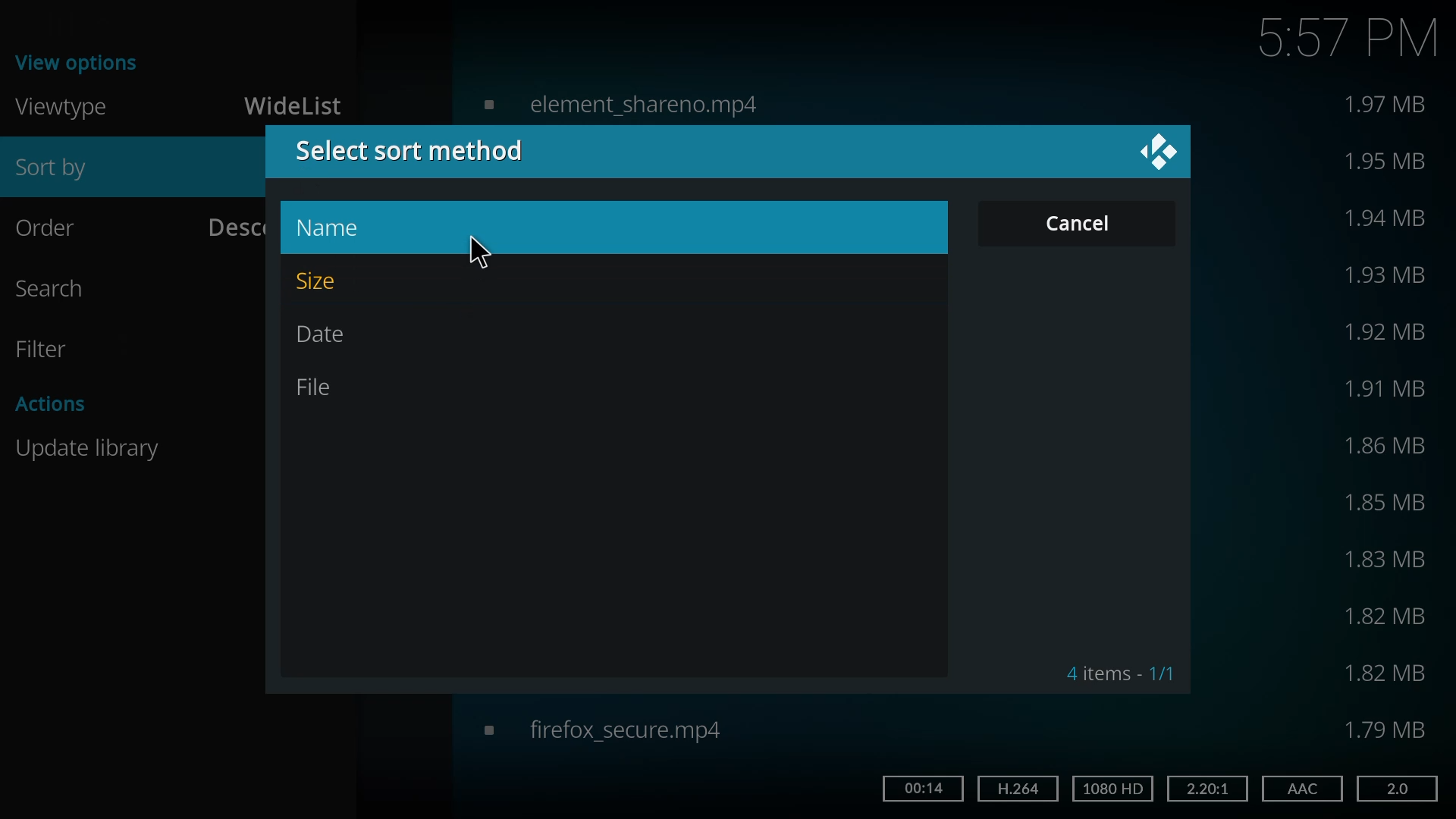  What do you see at coordinates (603, 729) in the screenshot?
I see `video` at bounding box center [603, 729].